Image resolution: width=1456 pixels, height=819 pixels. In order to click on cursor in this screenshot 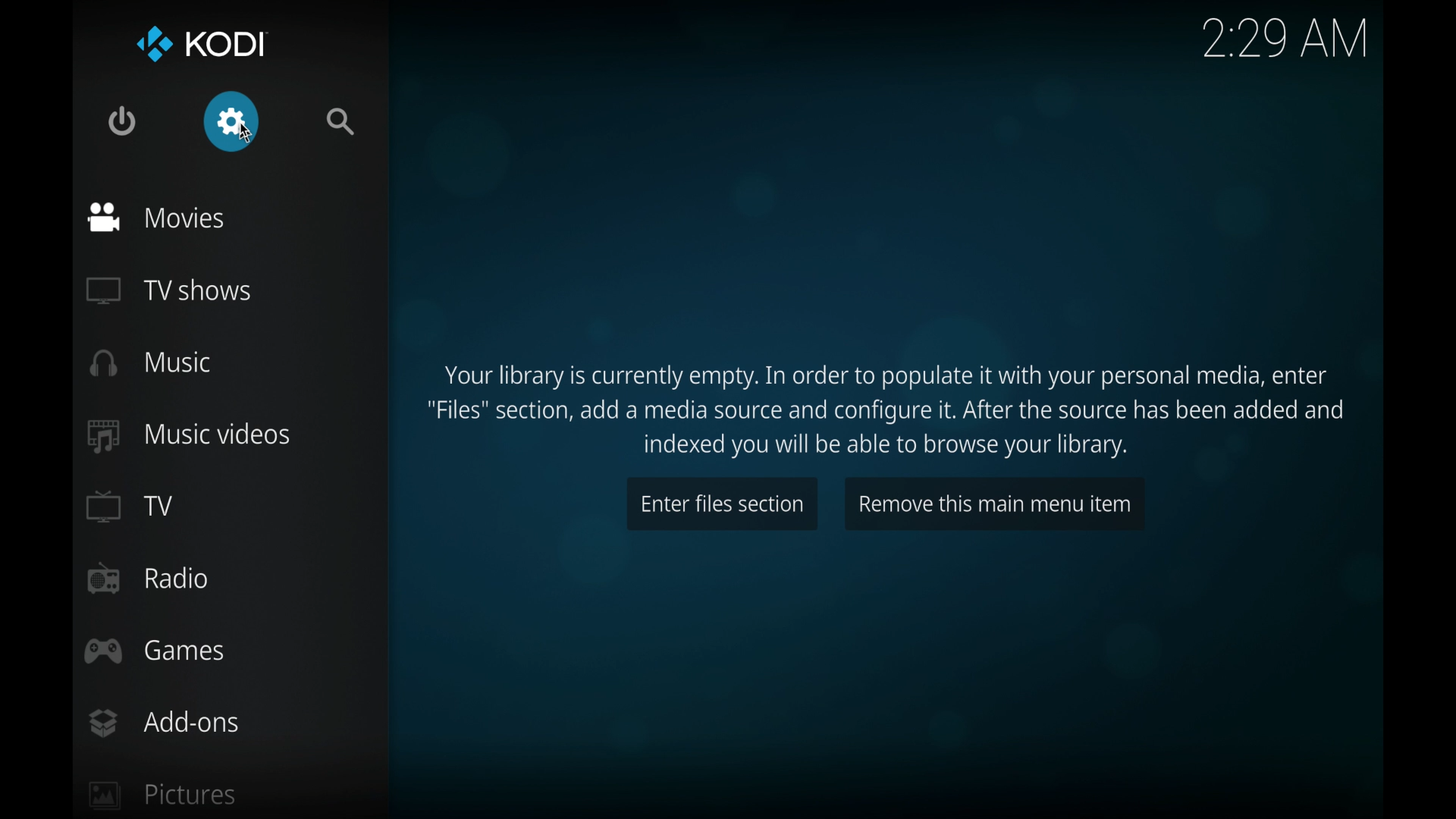, I will do `click(245, 134)`.